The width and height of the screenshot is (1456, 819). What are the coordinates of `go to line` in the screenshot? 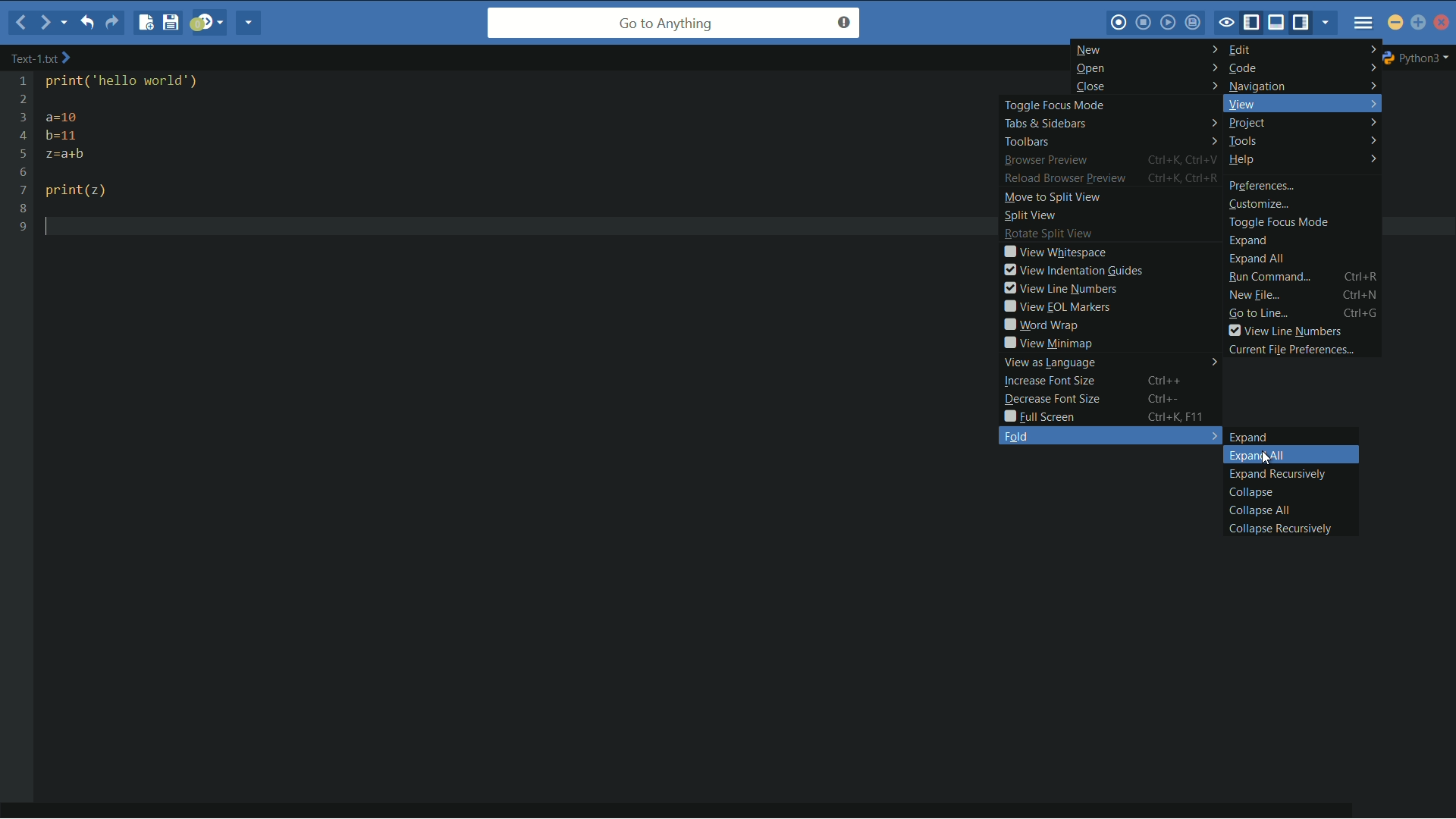 It's located at (1257, 314).